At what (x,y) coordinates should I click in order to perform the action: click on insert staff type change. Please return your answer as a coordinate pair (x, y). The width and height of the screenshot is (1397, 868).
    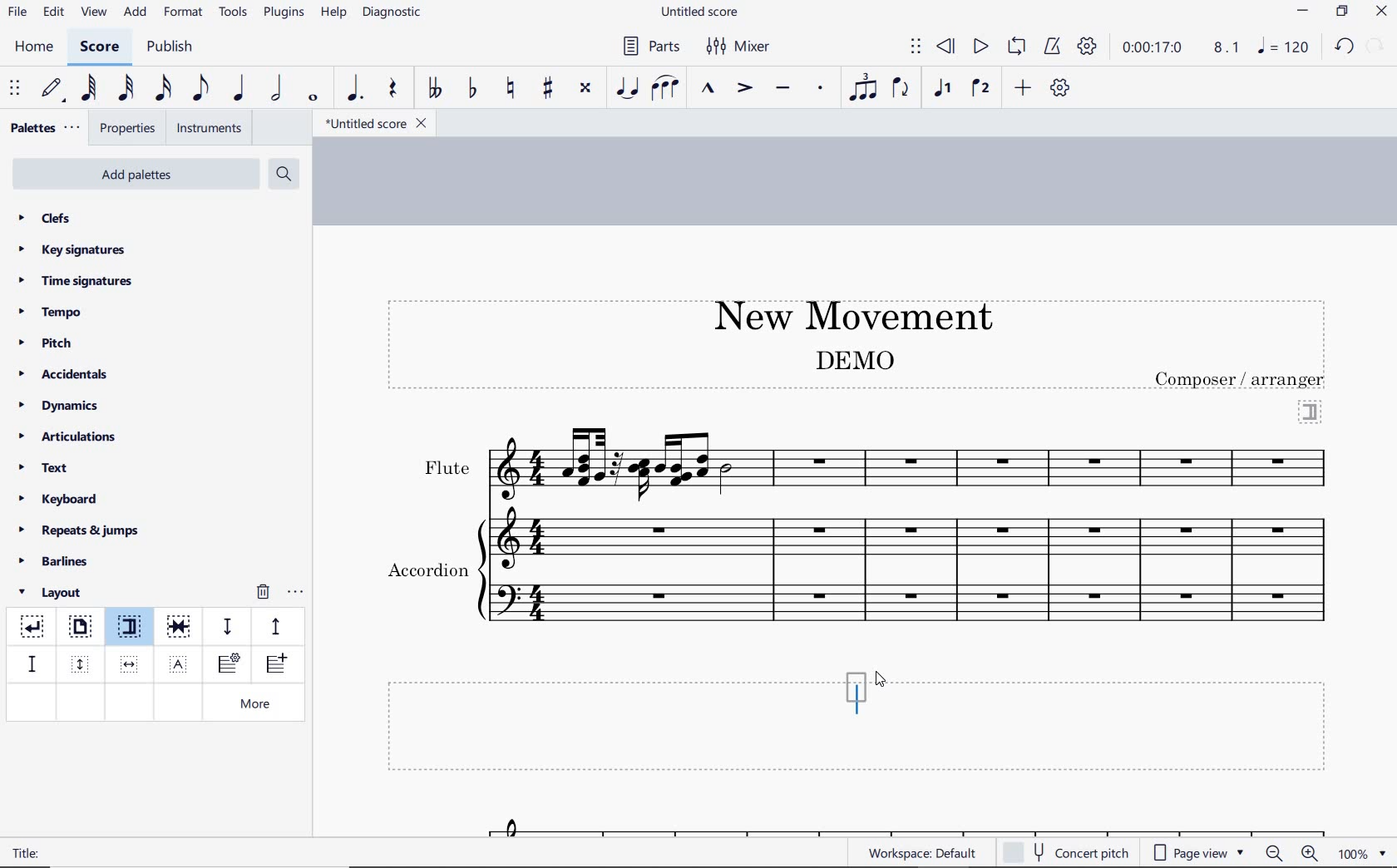
    Looking at the image, I should click on (229, 664).